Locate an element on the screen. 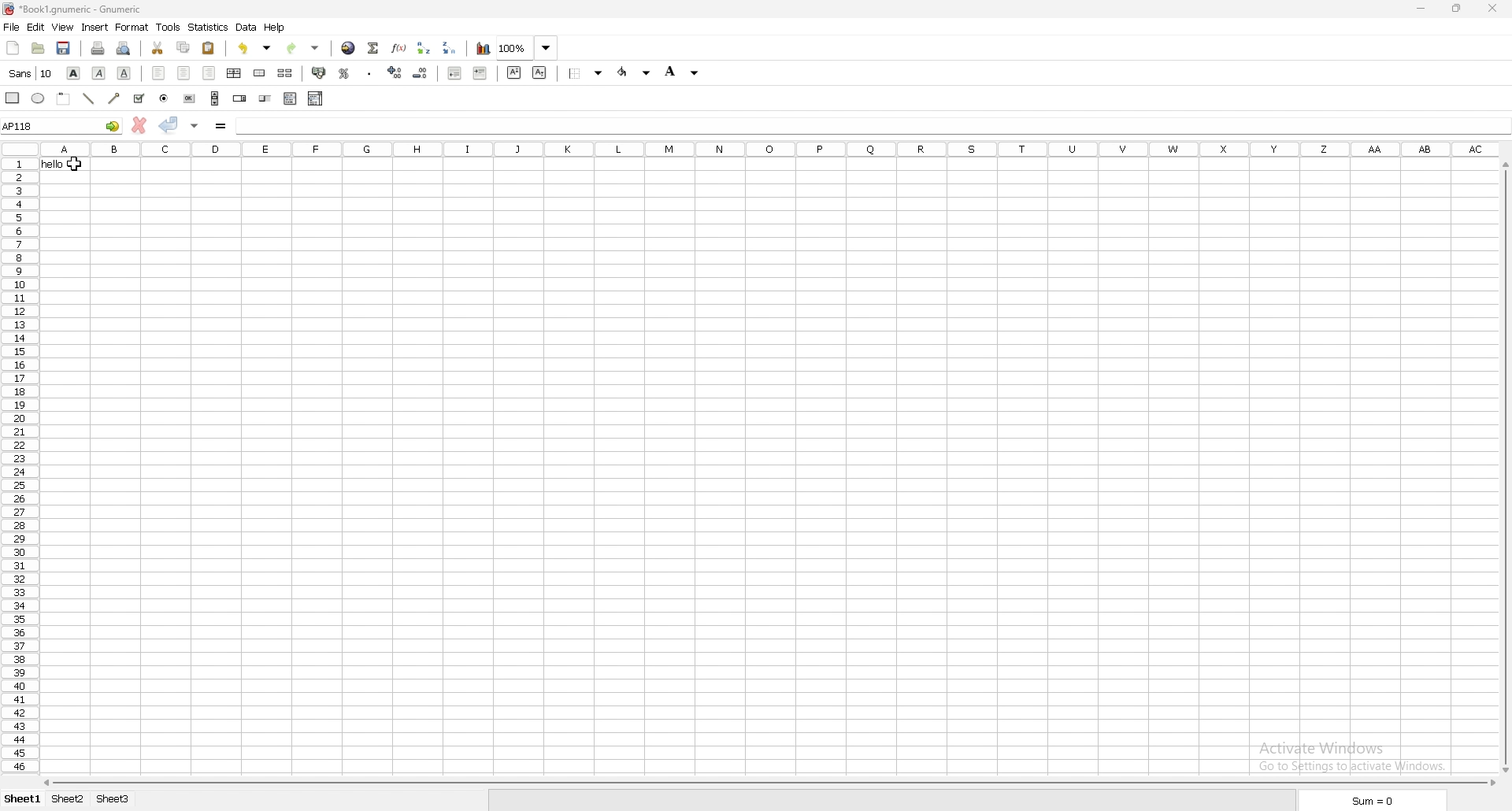 This screenshot has width=1512, height=811. formula is located at coordinates (222, 124).